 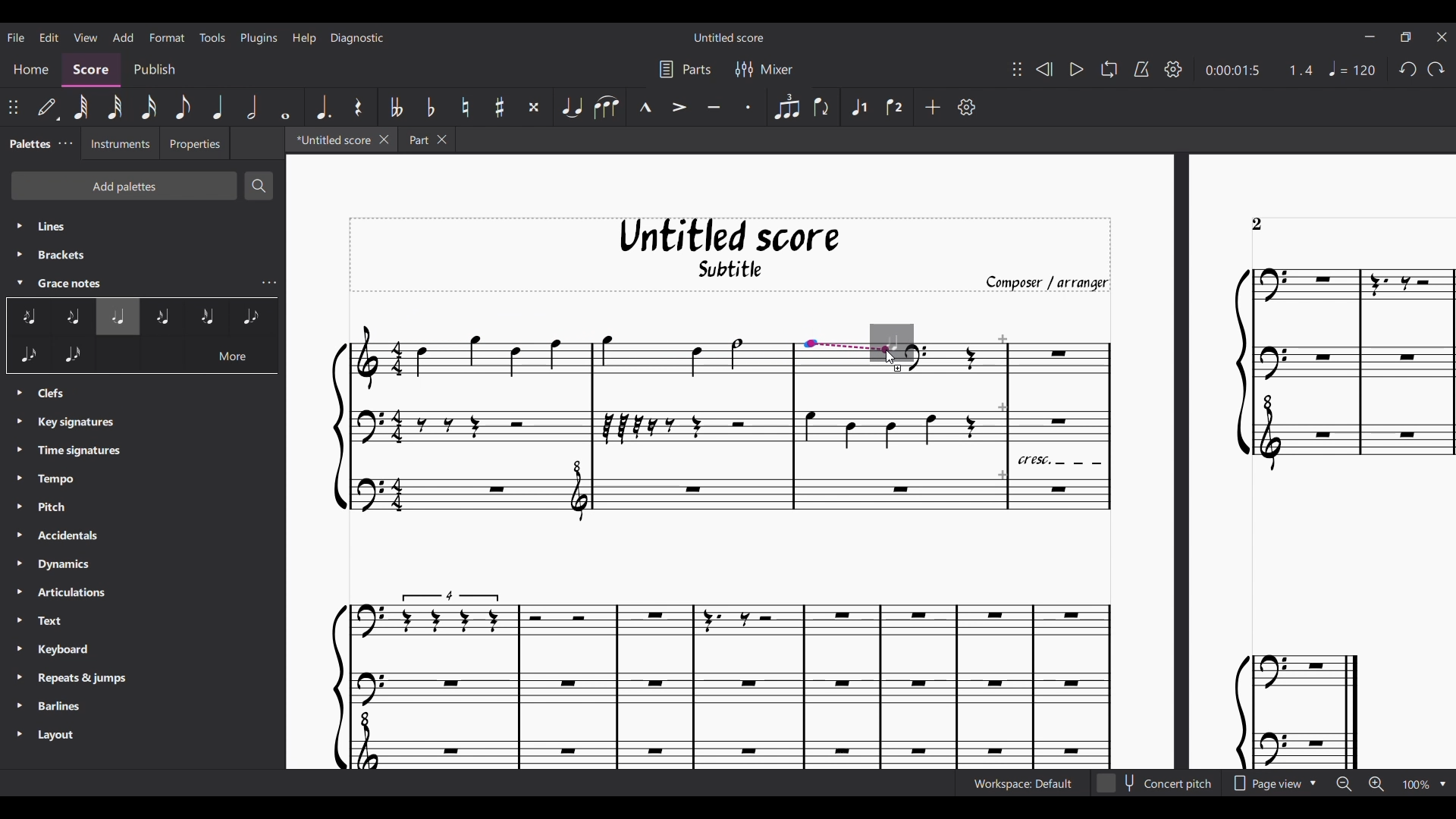 I want to click on Undo, so click(x=1407, y=70).